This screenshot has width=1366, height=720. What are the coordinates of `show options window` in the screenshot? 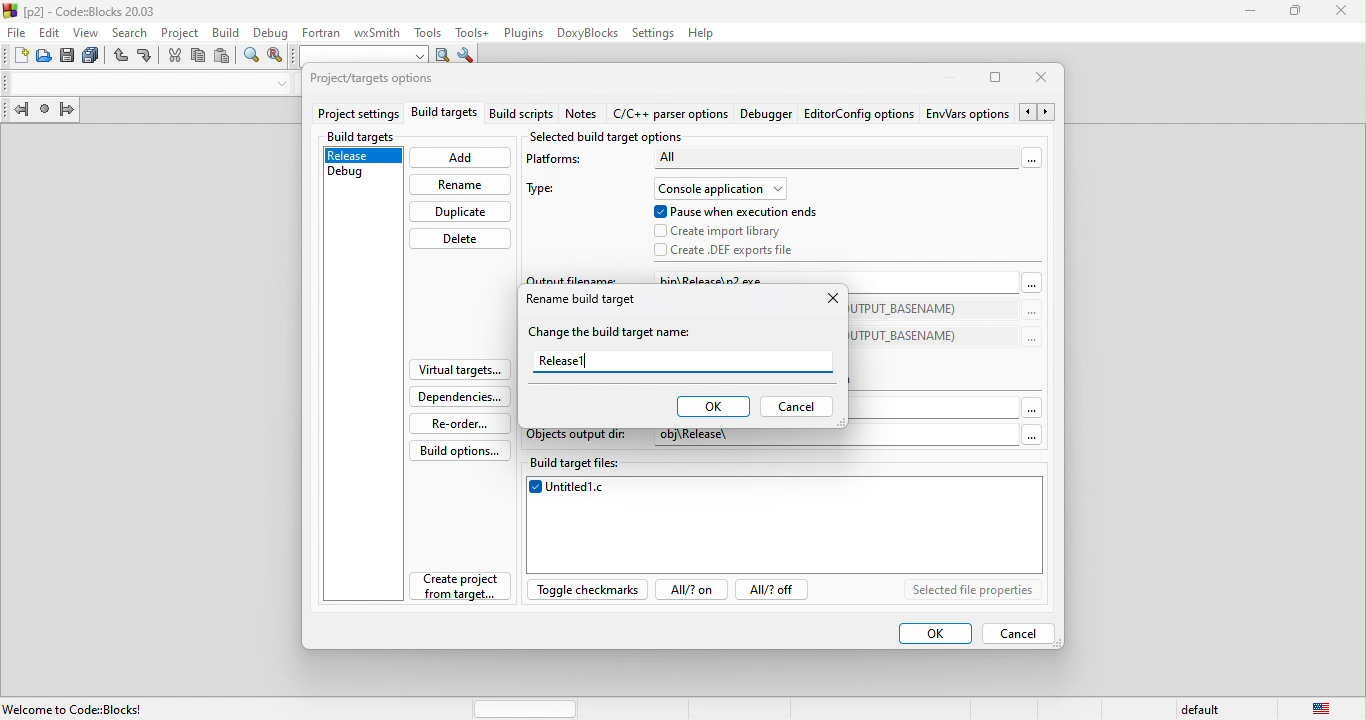 It's located at (466, 57).